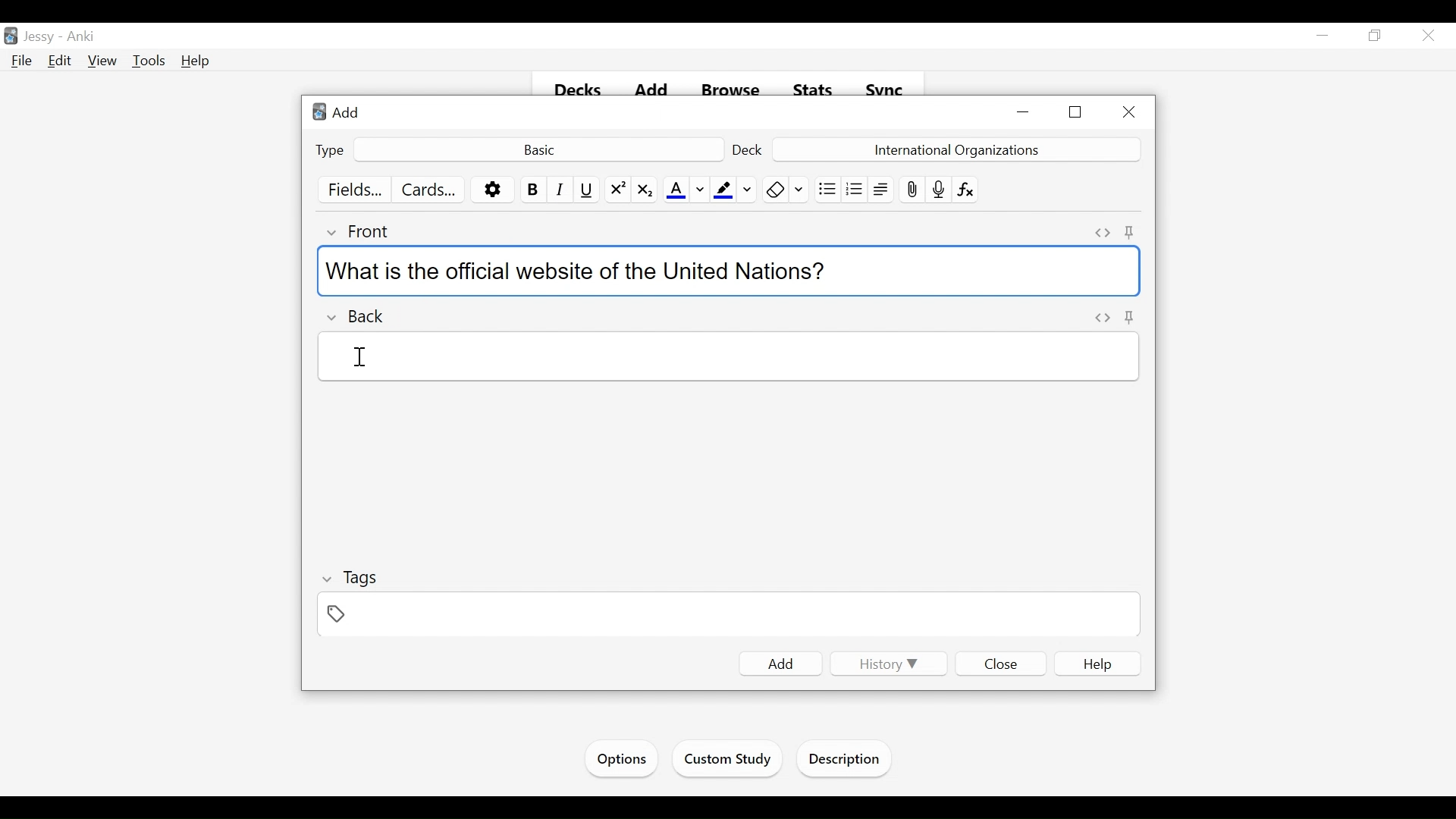 The width and height of the screenshot is (1456, 819). I want to click on Toggle HTML Editor, so click(1102, 316).